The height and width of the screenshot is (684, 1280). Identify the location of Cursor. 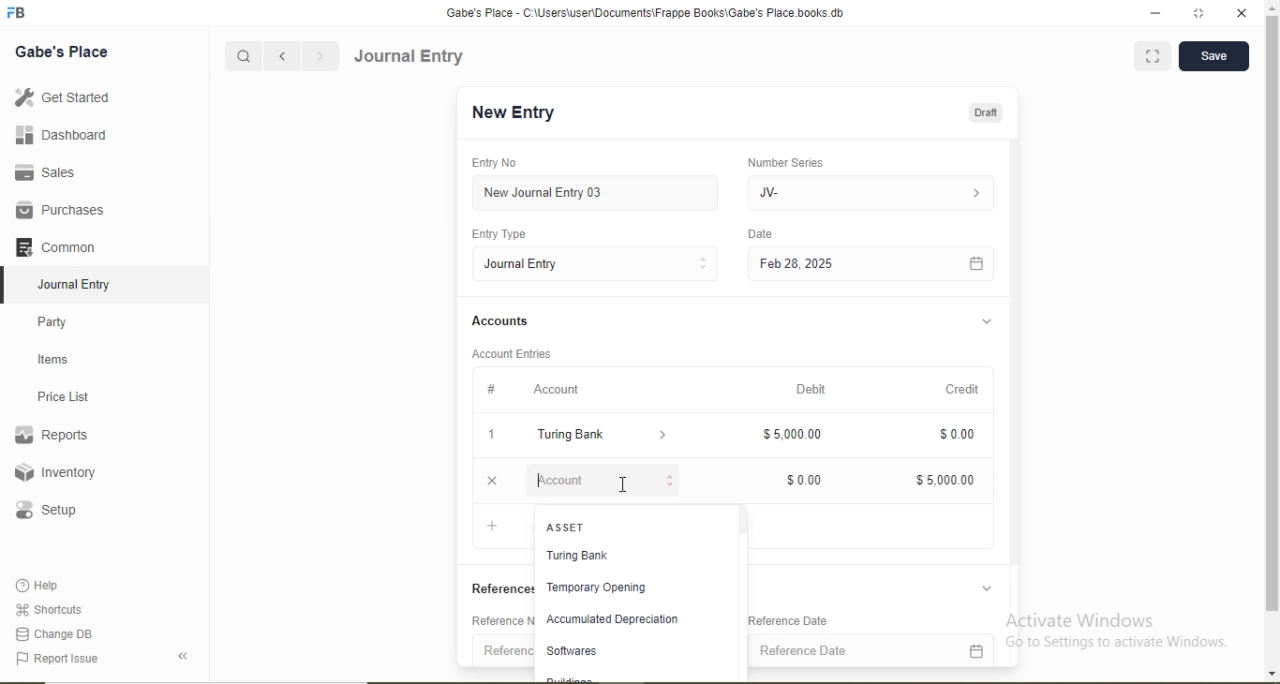
(623, 484).